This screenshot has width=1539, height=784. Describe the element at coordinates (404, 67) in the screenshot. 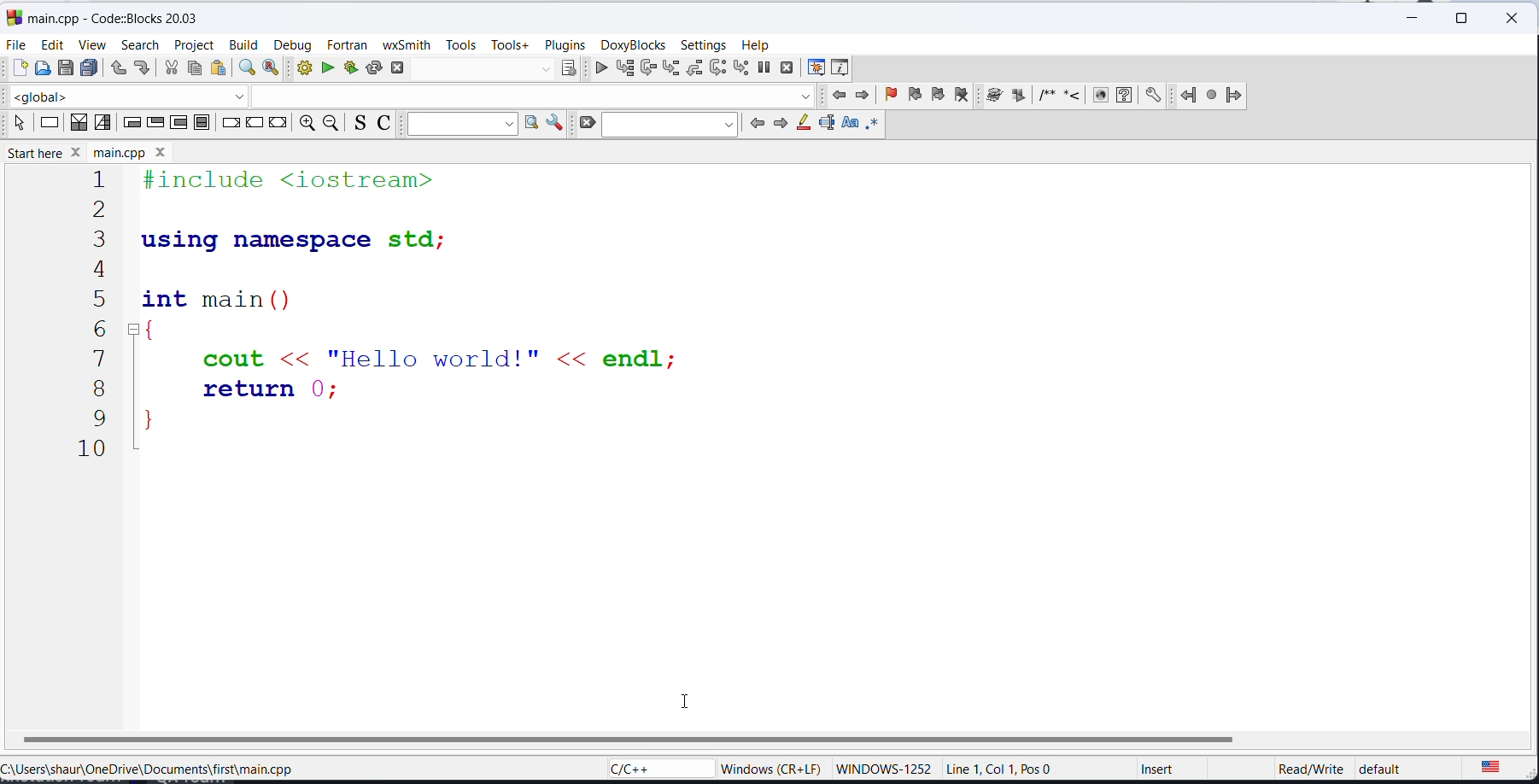

I see `ABORT` at that location.